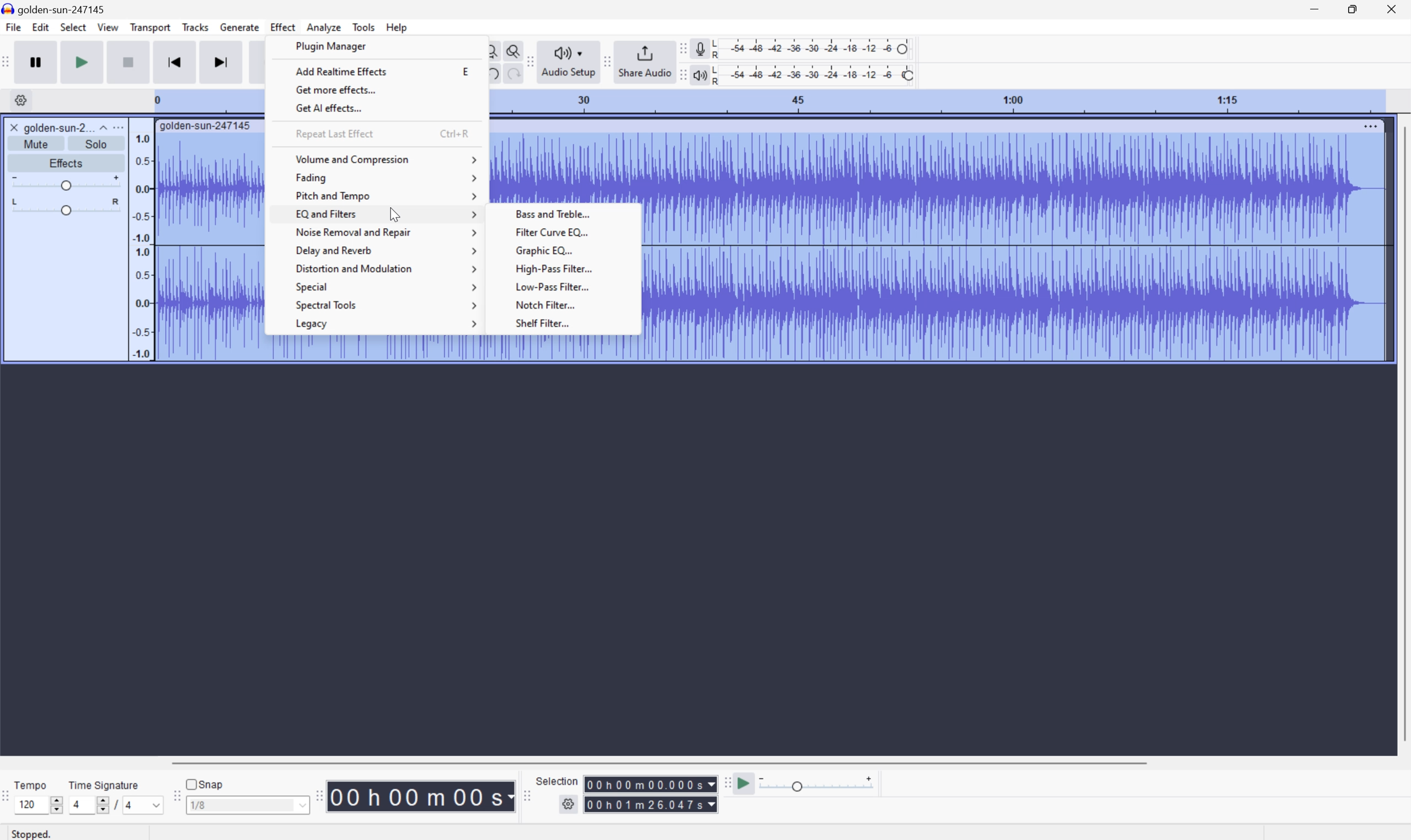 The image size is (1411, 840). What do you see at coordinates (142, 246) in the screenshot?
I see `Frequencies` at bounding box center [142, 246].